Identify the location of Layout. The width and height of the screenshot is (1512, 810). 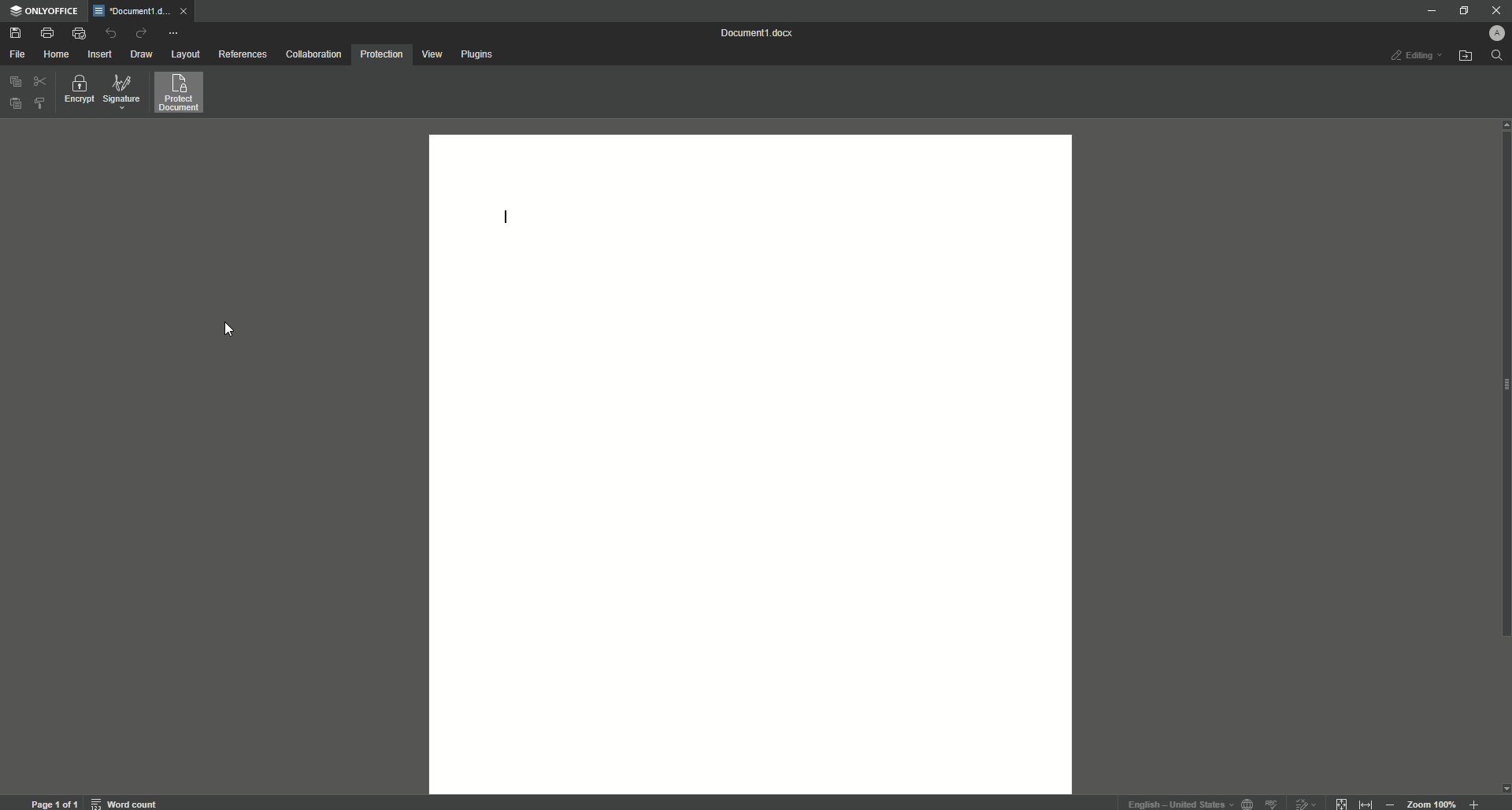
(184, 55).